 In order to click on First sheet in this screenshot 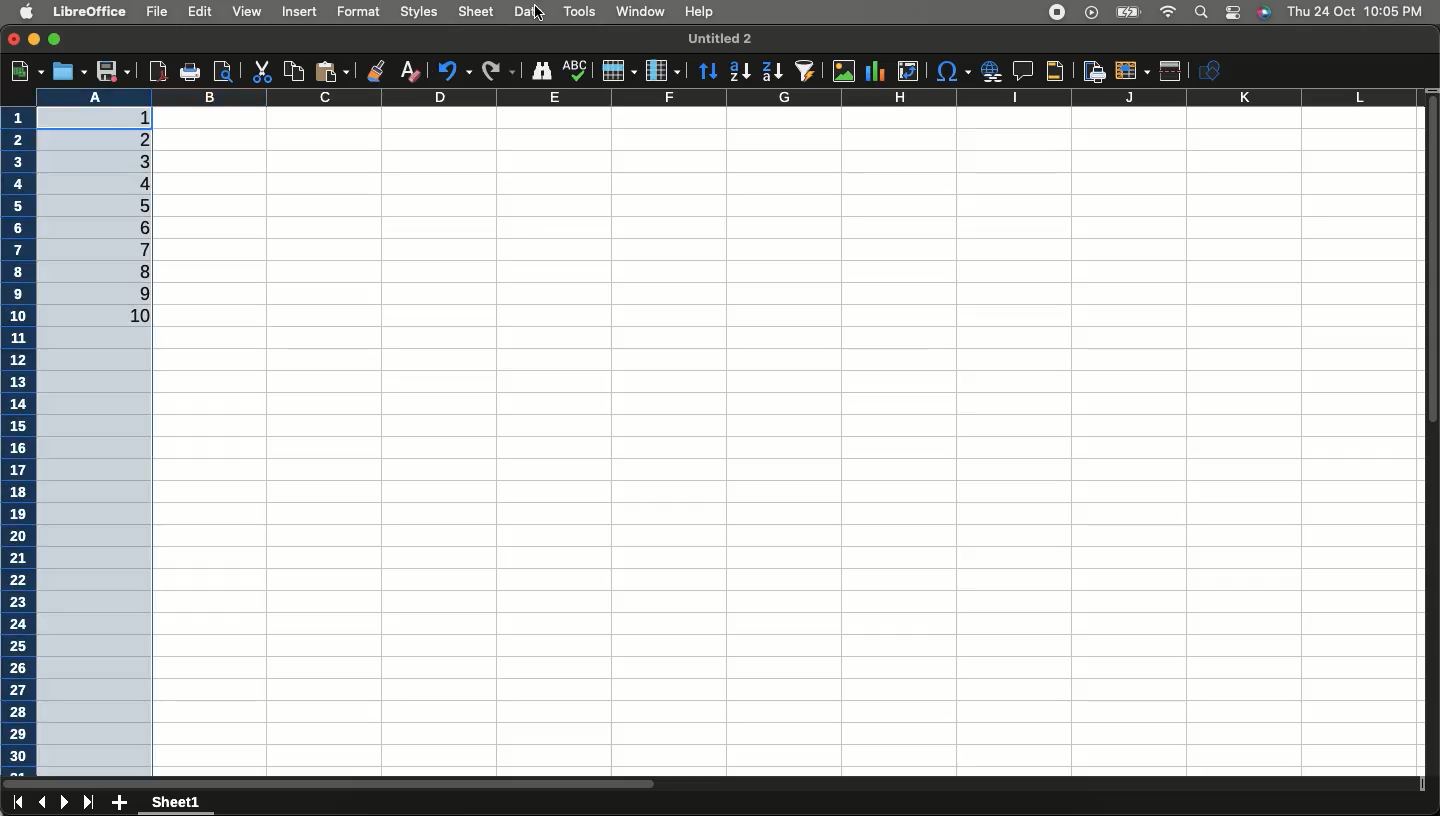, I will do `click(16, 804)`.